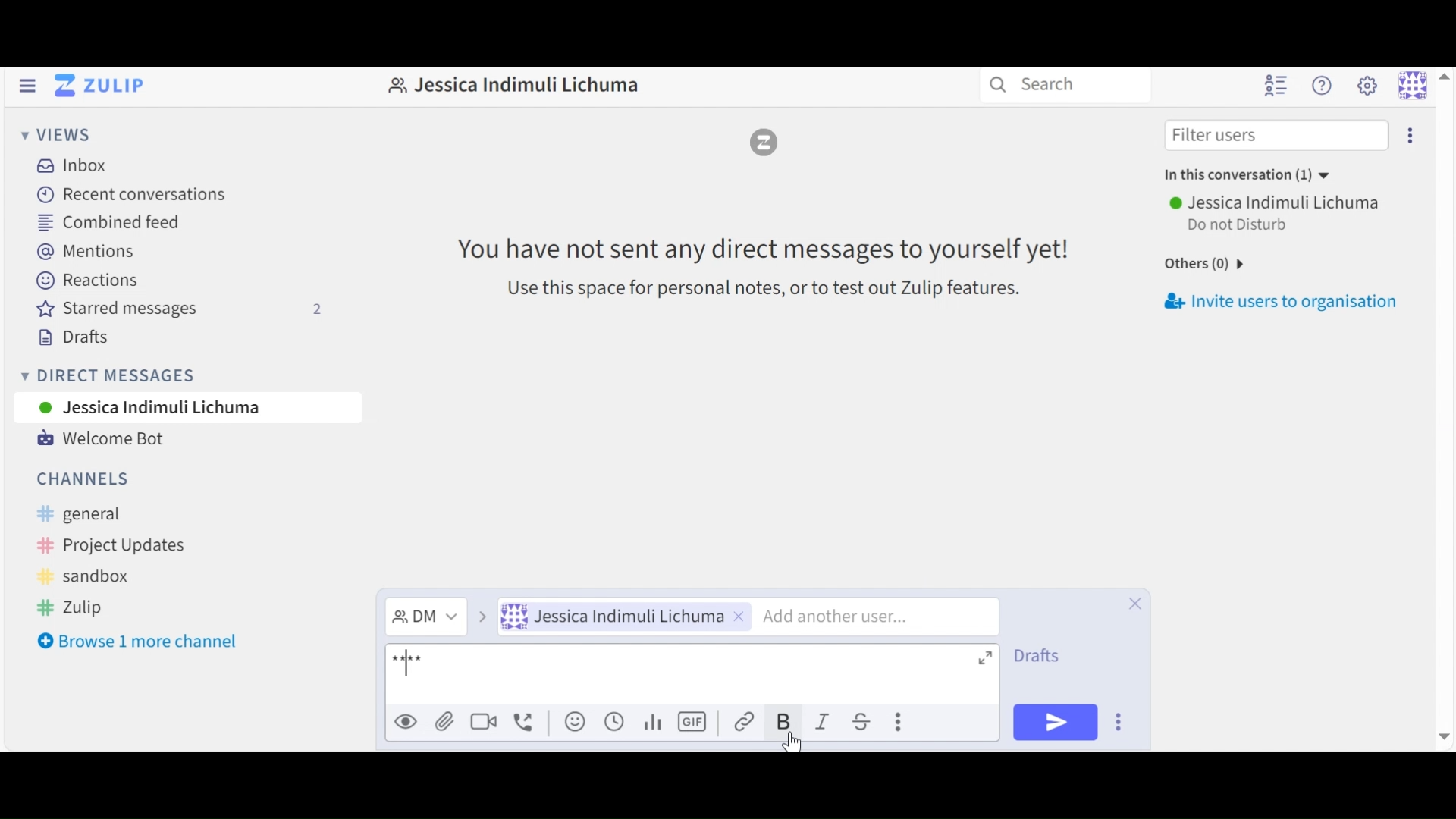 The image size is (1456, 819). What do you see at coordinates (179, 309) in the screenshot?
I see `Starred messages` at bounding box center [179, 309].